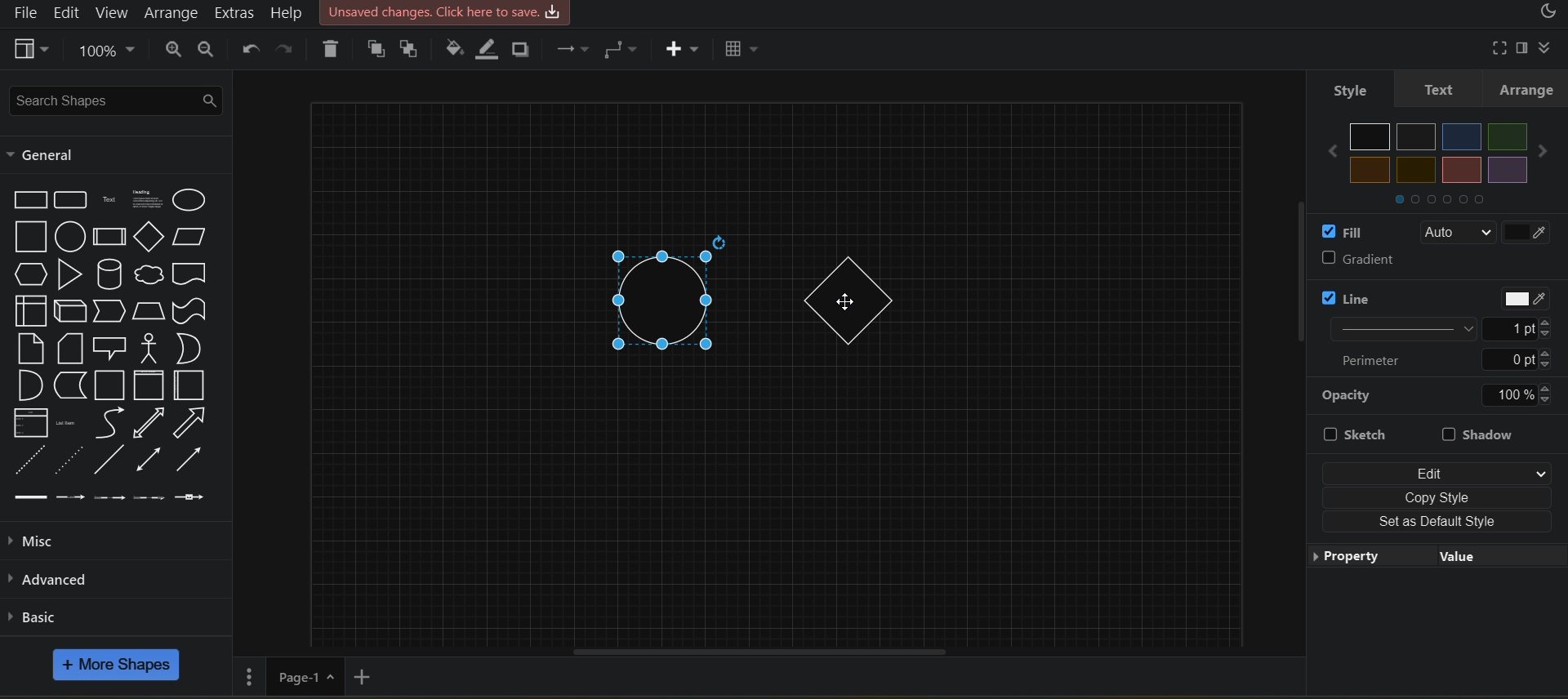 The width and height of the screenshot is (1568, 699). What do you see at coordinates (31, 50) in the screenshot?
I see `view` at bounding box center [31, 50].